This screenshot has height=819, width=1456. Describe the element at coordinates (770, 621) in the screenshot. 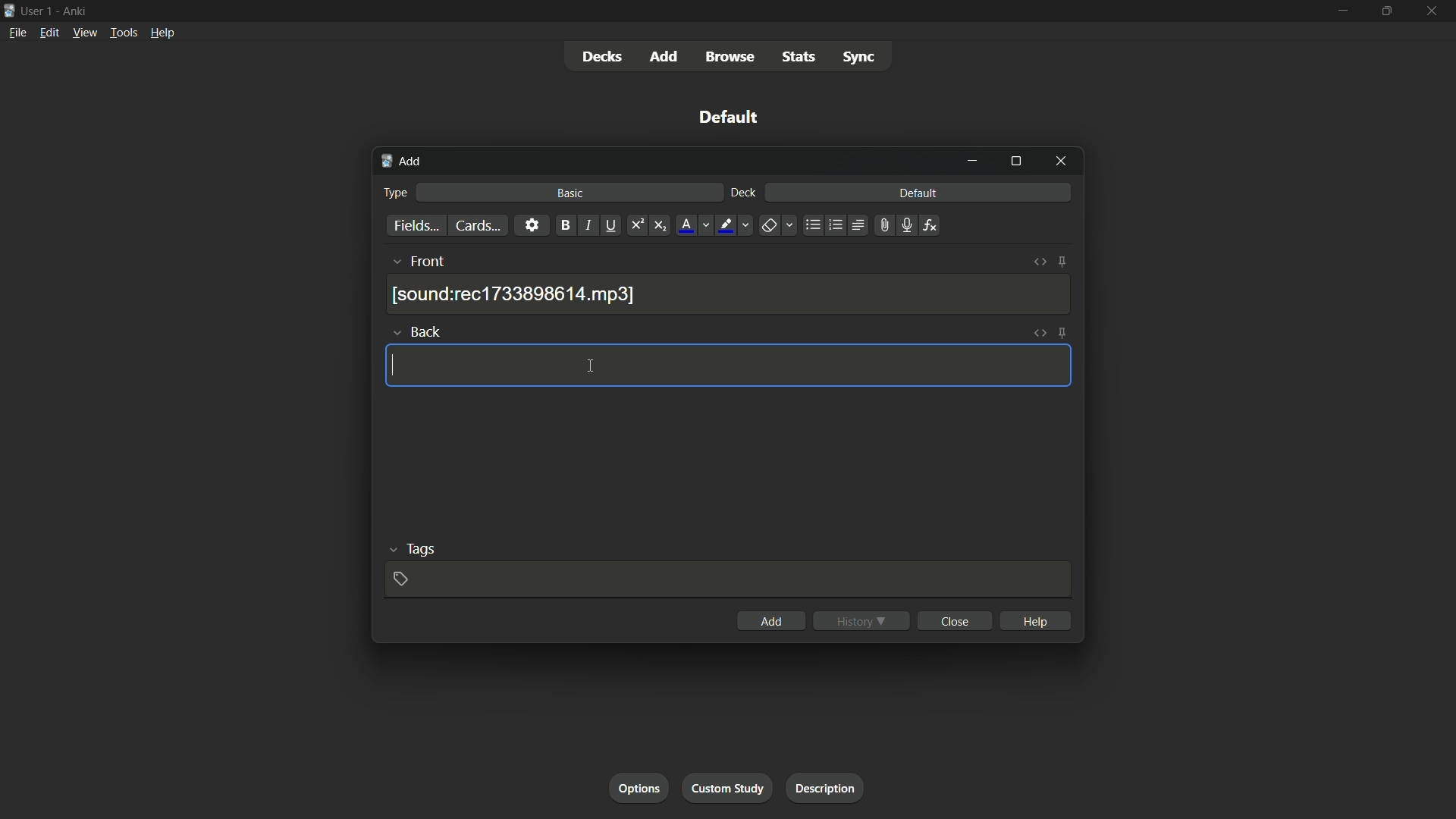

I see `add` at that location.